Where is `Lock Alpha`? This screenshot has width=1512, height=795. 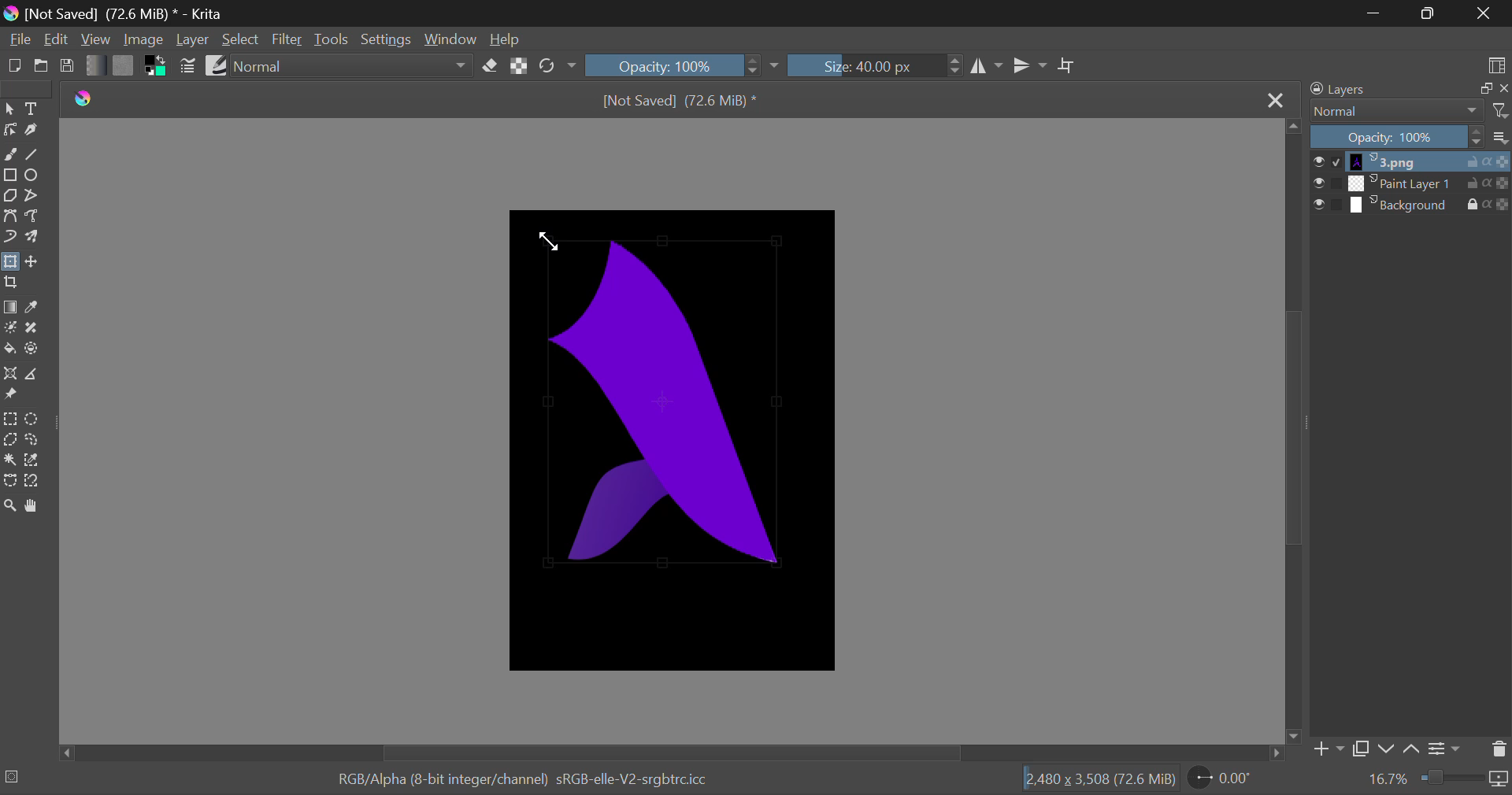 Lock Alpha is located at coordinates (519, 67).